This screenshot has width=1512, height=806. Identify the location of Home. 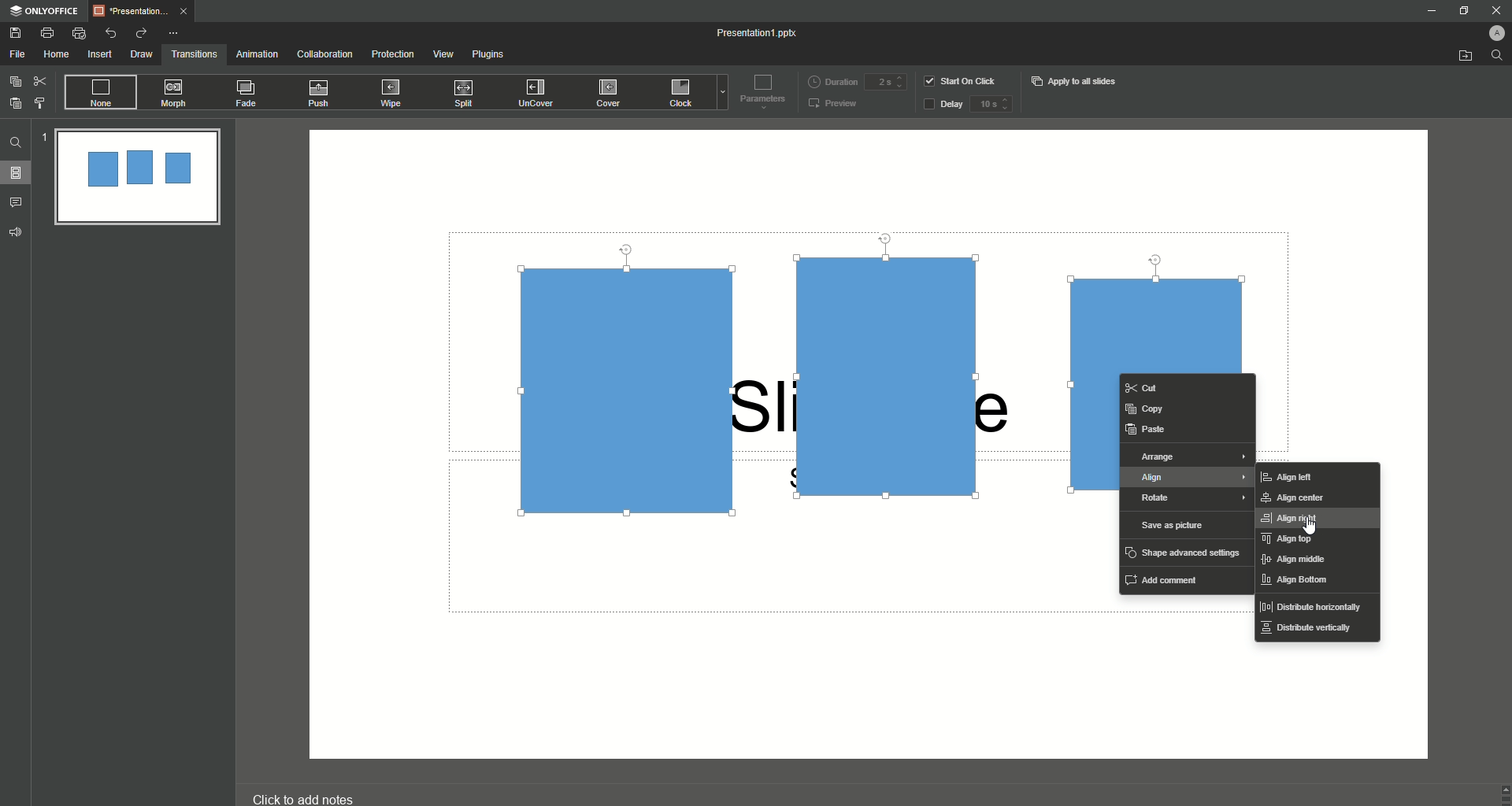
(57, 55).